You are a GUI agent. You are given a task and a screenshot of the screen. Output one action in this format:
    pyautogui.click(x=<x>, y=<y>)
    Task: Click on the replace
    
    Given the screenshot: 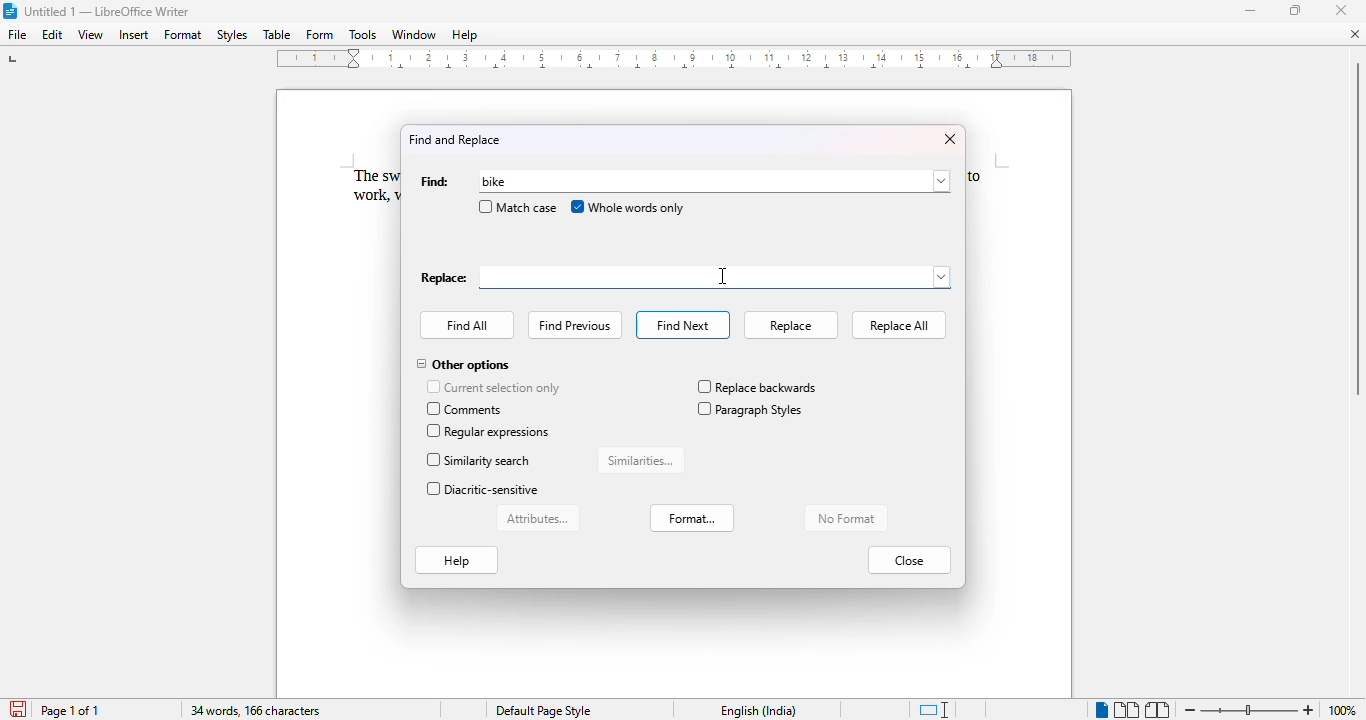 What is the action you would take?
    pyautogui.click(x=790, y=325)
    